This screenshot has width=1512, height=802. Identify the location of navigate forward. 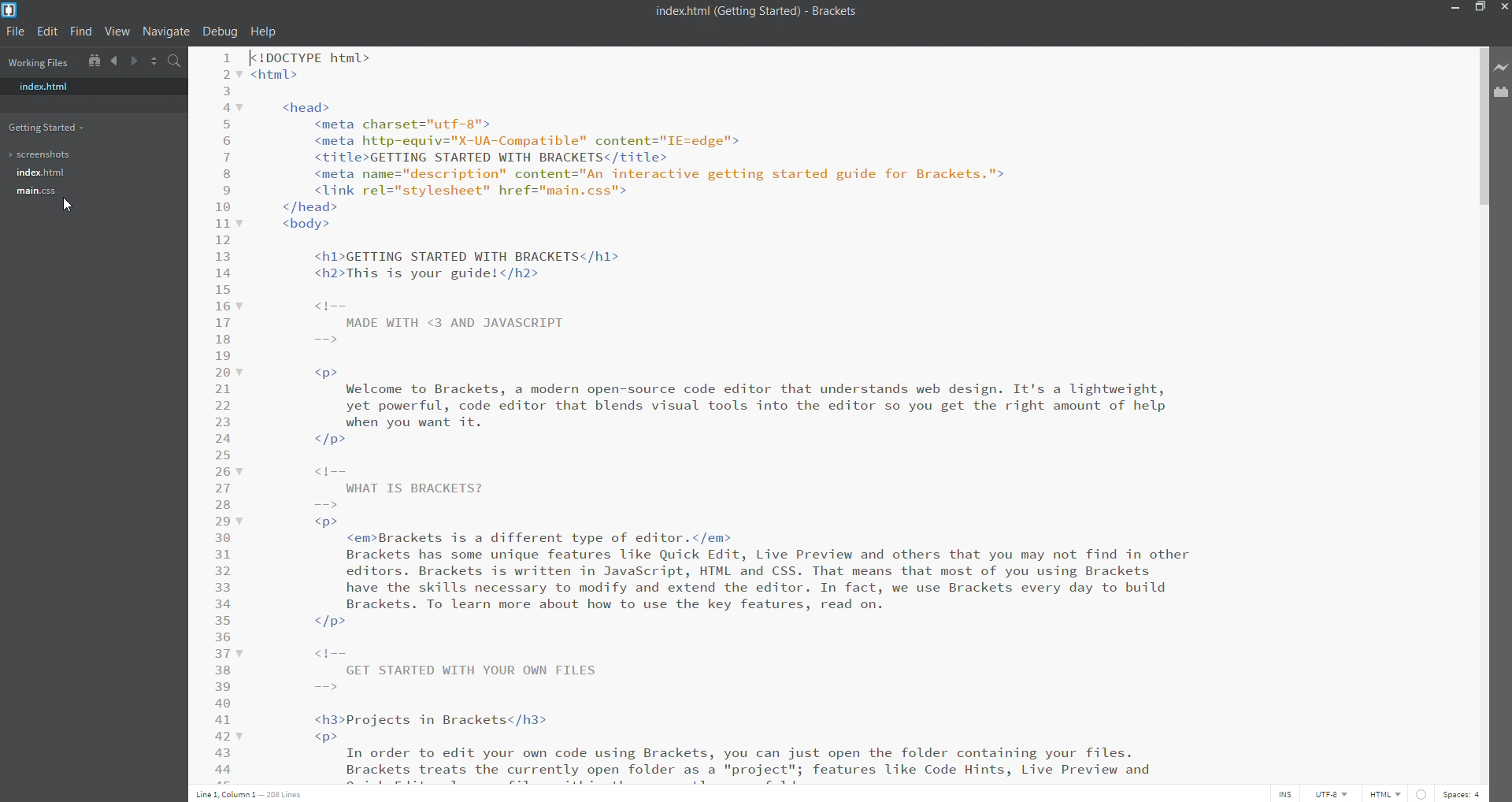
(133, 62).